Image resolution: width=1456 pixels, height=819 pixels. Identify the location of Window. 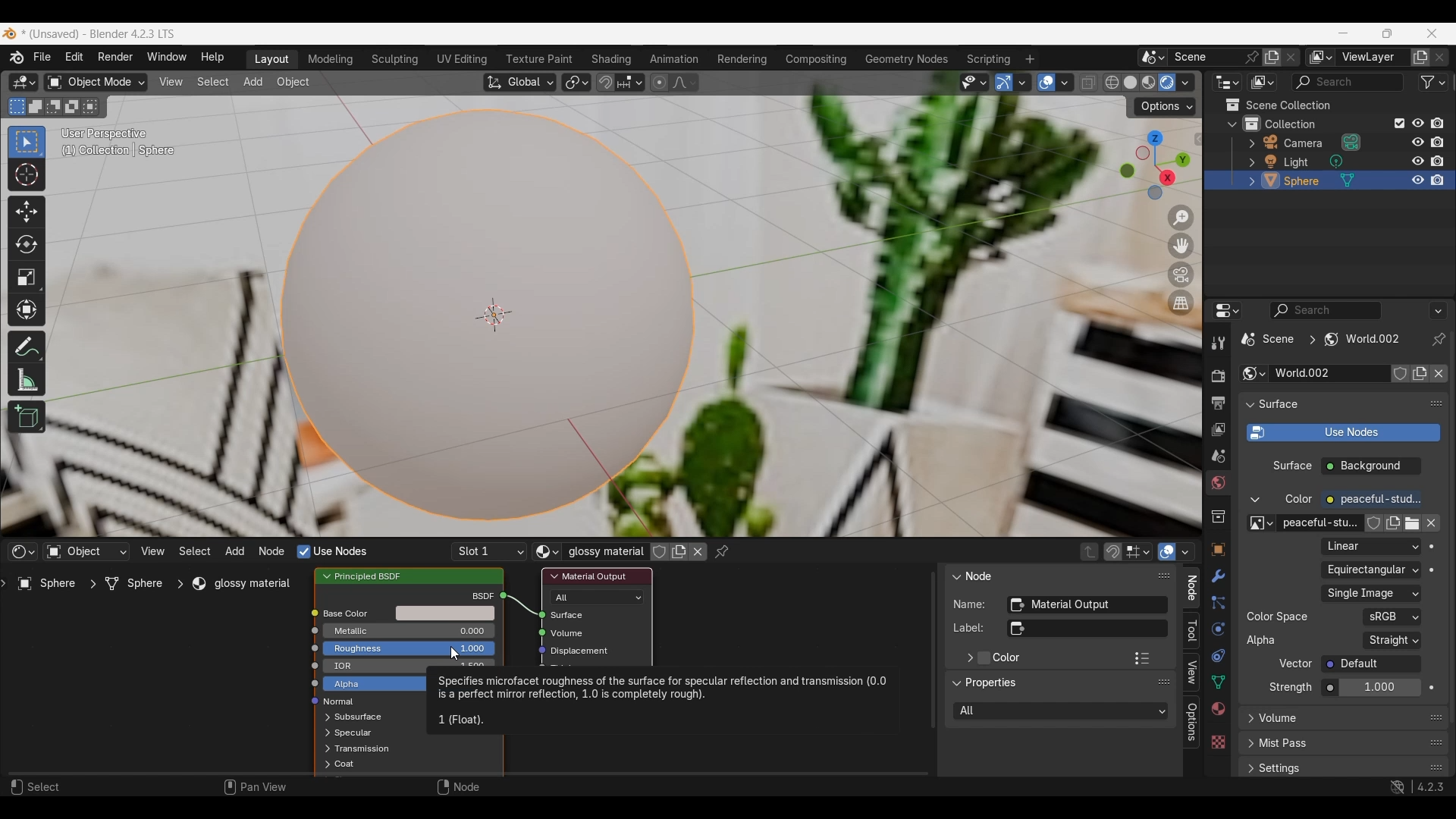
(166, 58).